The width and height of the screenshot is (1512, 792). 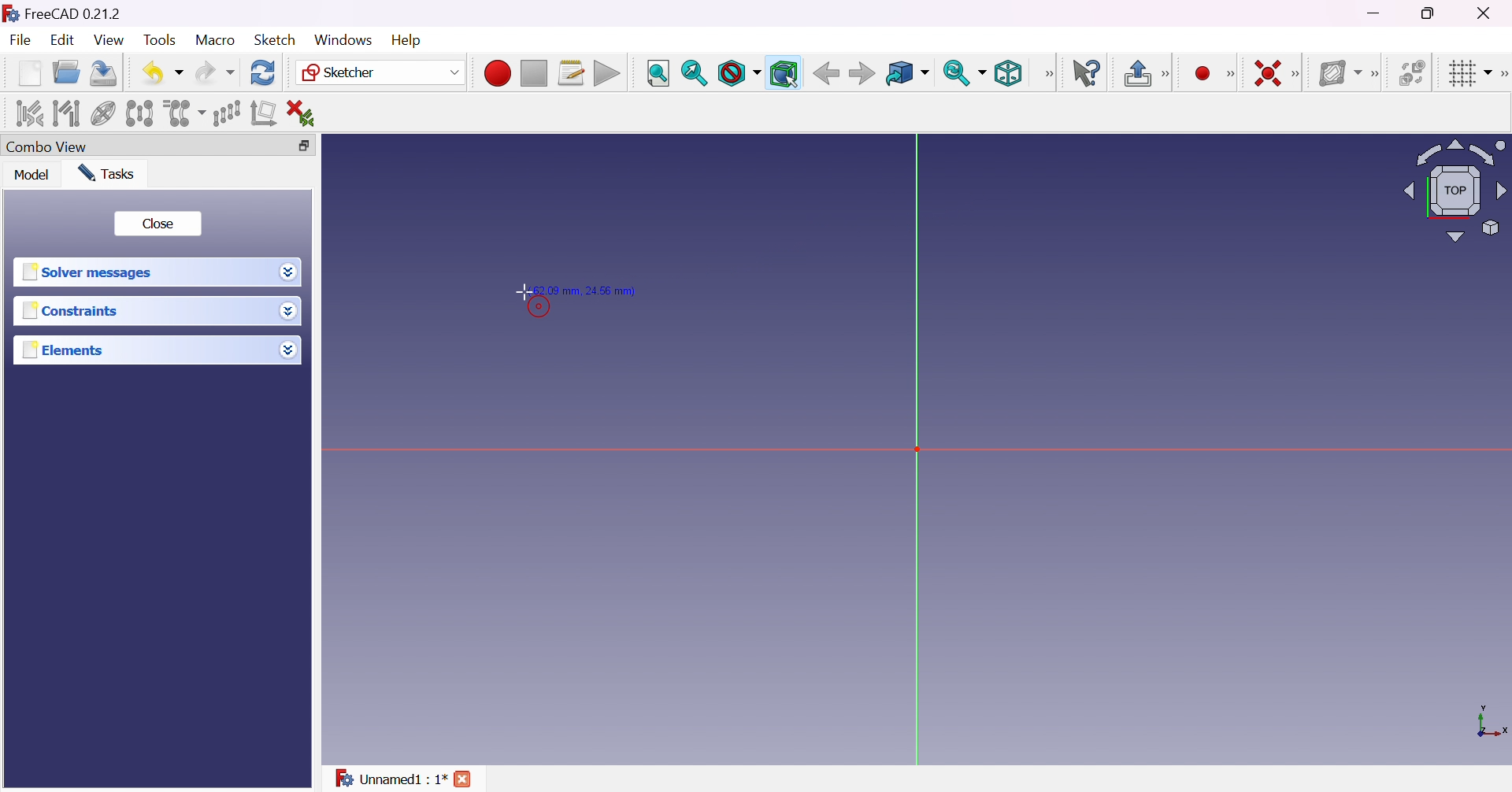 I want to click on Sketcher edit tools, so click(x=1503, y=74).